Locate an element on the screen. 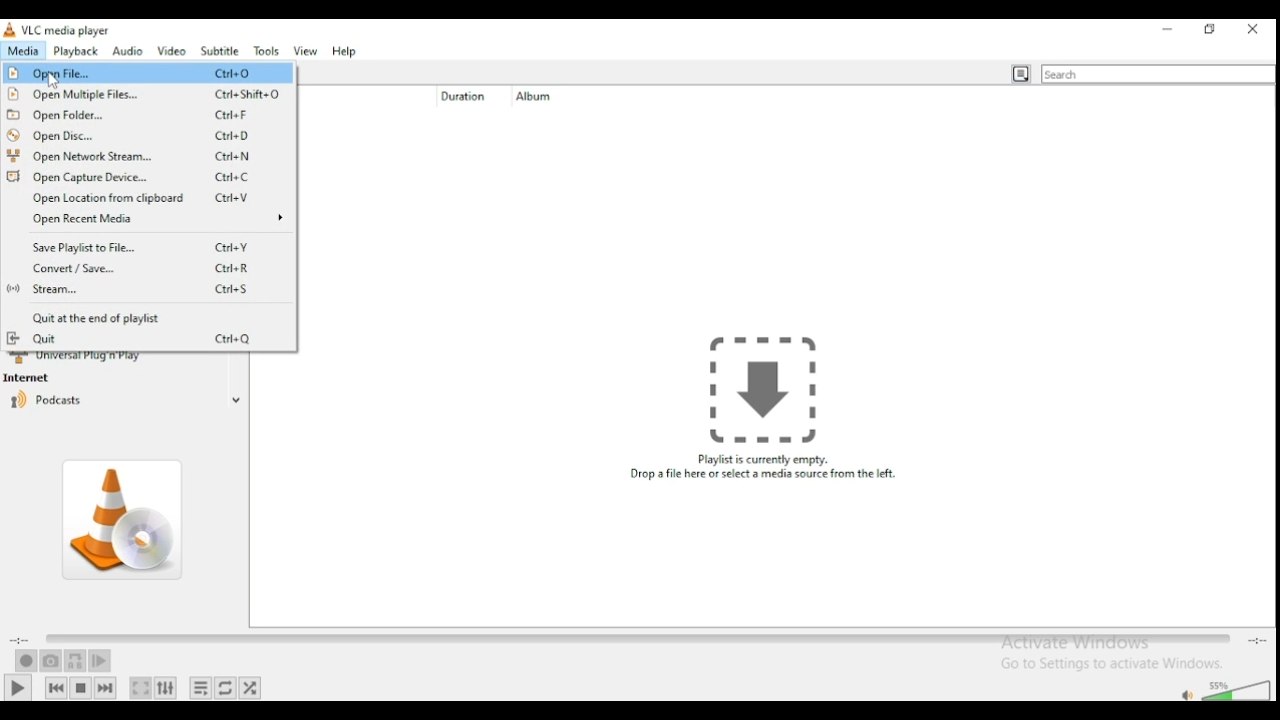  stream is located at coordinates (147, 290).